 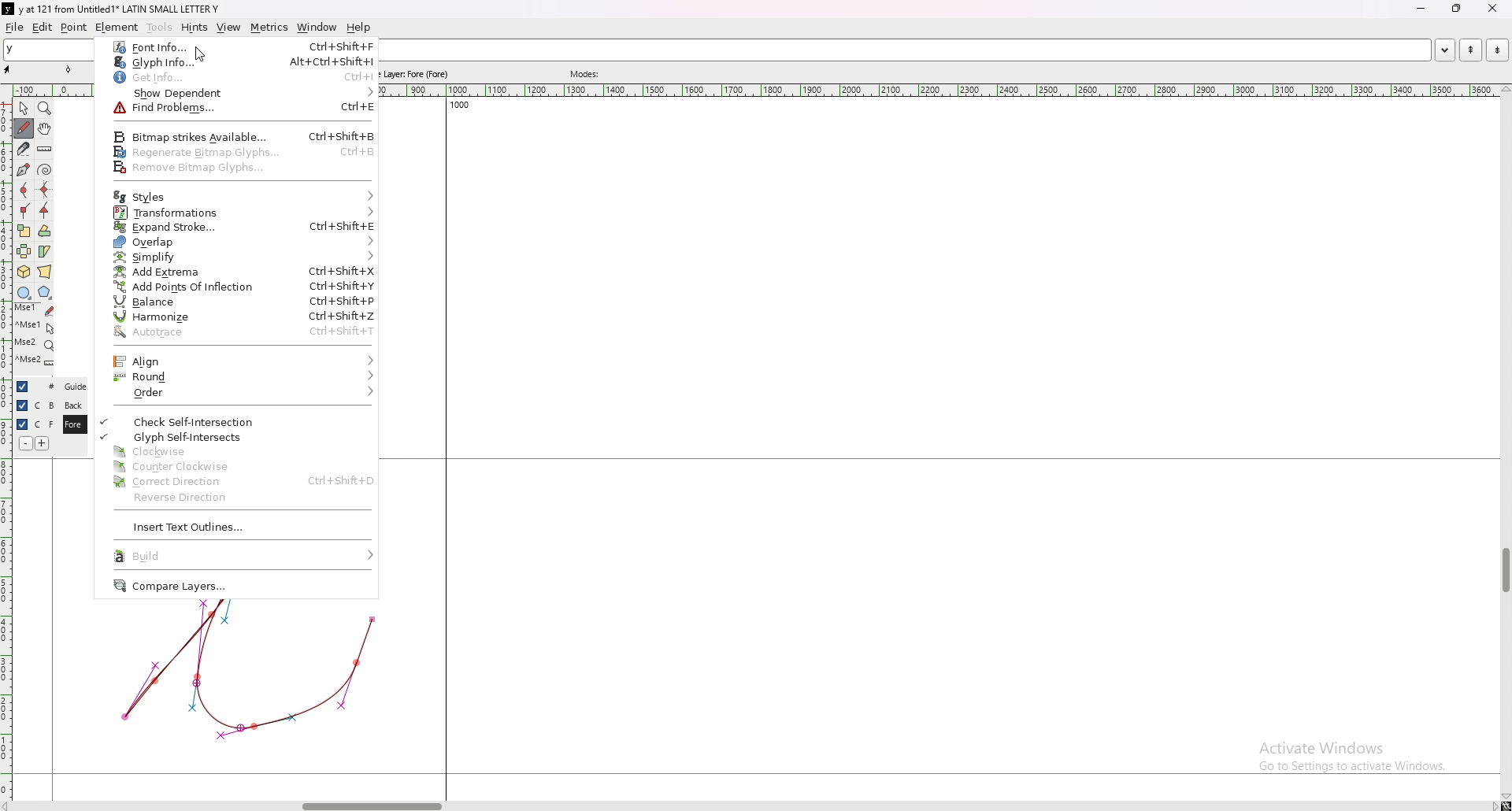 I want to click on scroll right, so click(x=10, y=805).